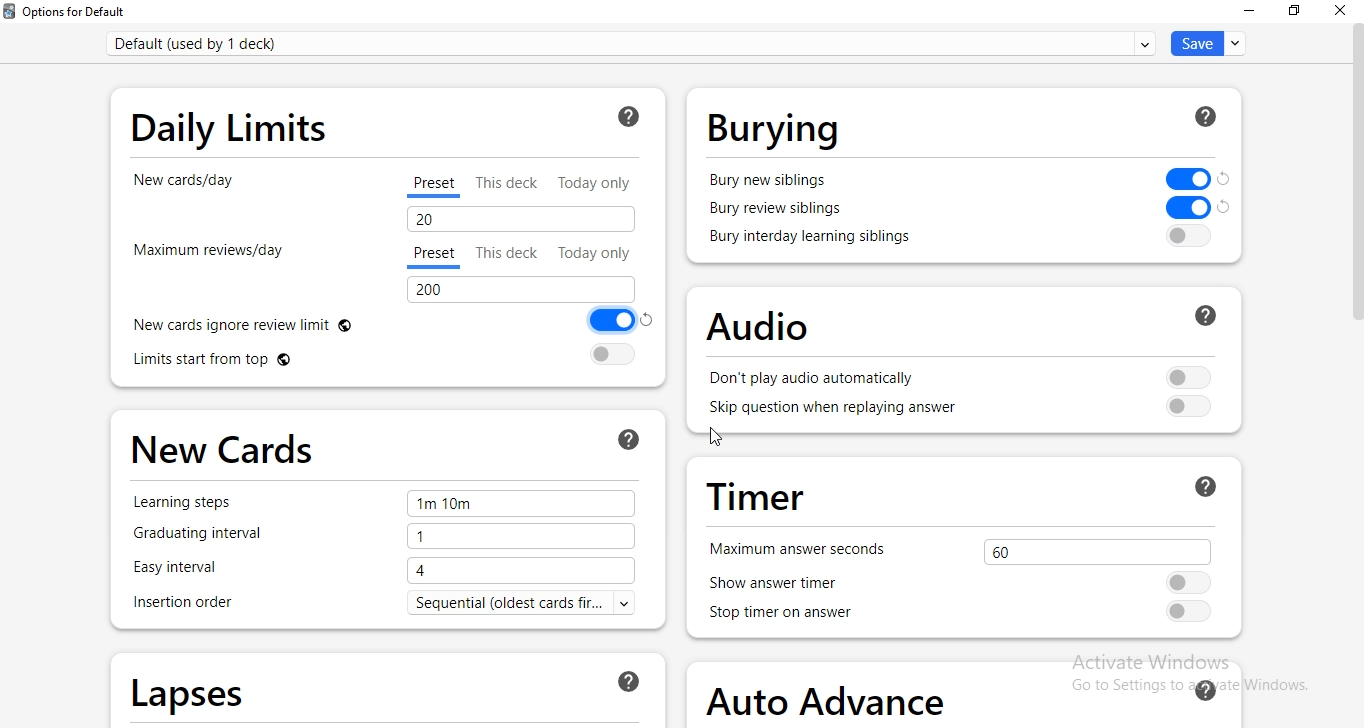 This screenshot has width=1364, height=728. I want to click on toggle, so click(1188, 408).